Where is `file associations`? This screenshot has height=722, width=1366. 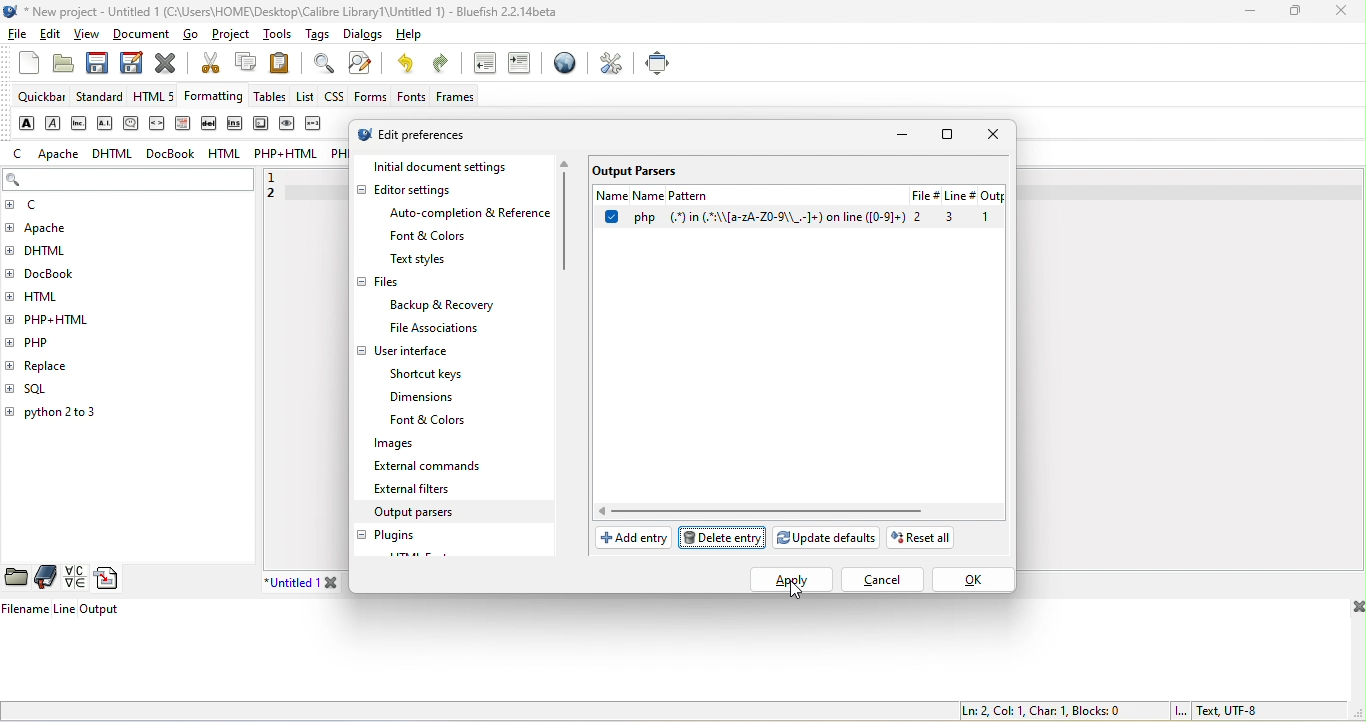 file associations is located at coordinates (424, 329).